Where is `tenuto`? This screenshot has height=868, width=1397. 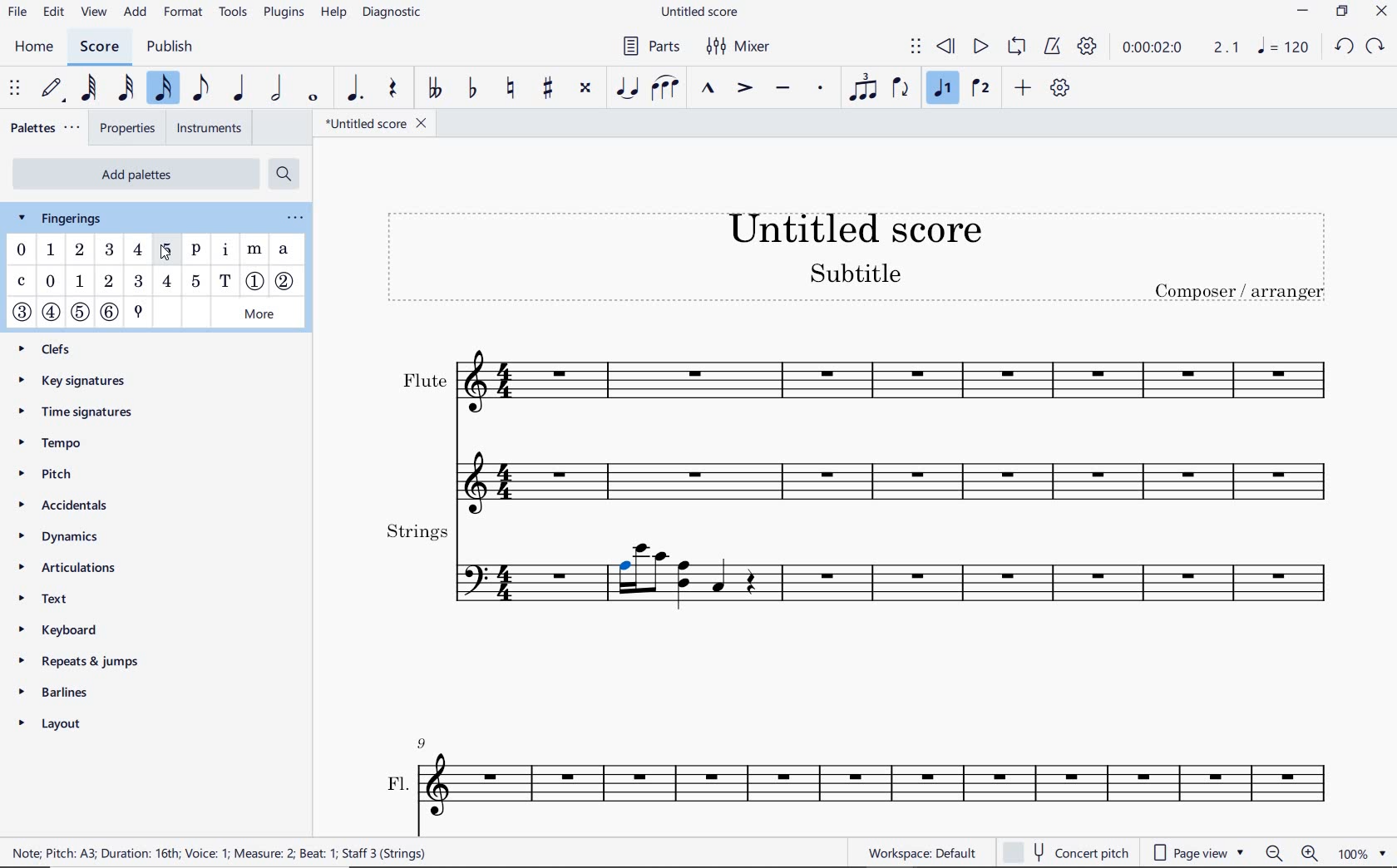
tenuto is located at coordinates (782, 90).